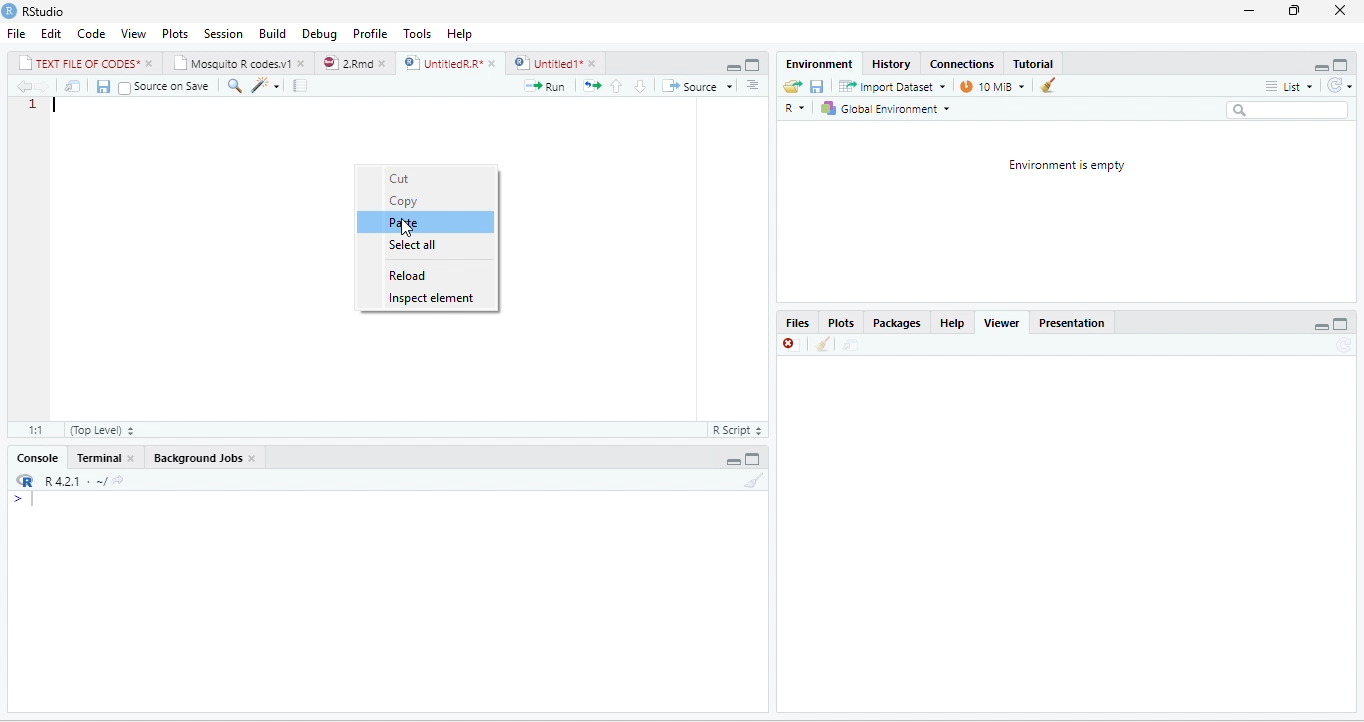 The height and width of the screenshot is (722, 1364). Describe the element at coordinates (400, 179) in the screenshot. I see `cut` at that location.